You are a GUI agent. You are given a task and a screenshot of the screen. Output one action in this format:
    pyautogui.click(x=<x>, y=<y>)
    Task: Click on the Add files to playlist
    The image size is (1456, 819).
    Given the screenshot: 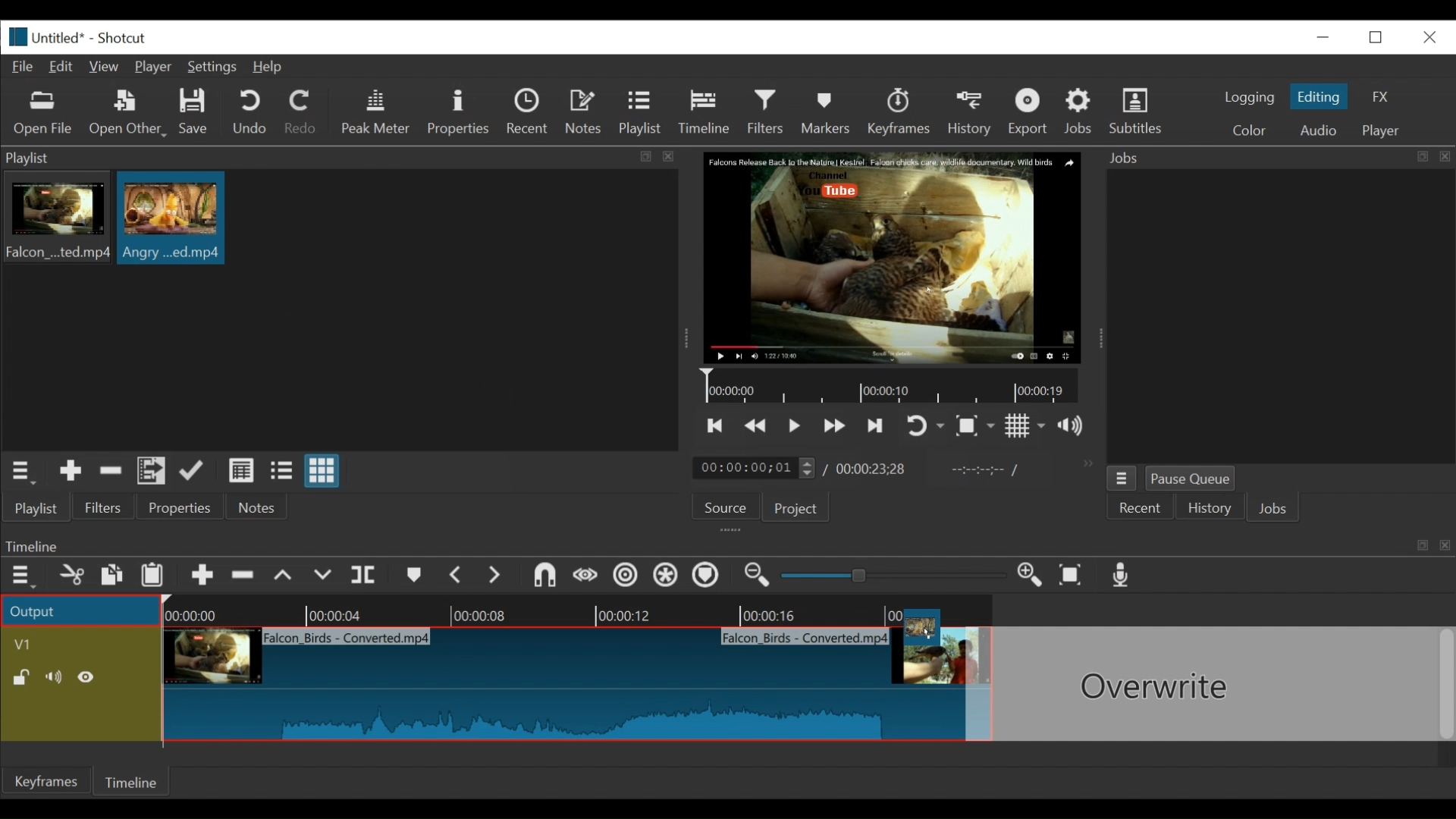 What is the action you would take?
    pyautogui.click(x=152, y=473)
    